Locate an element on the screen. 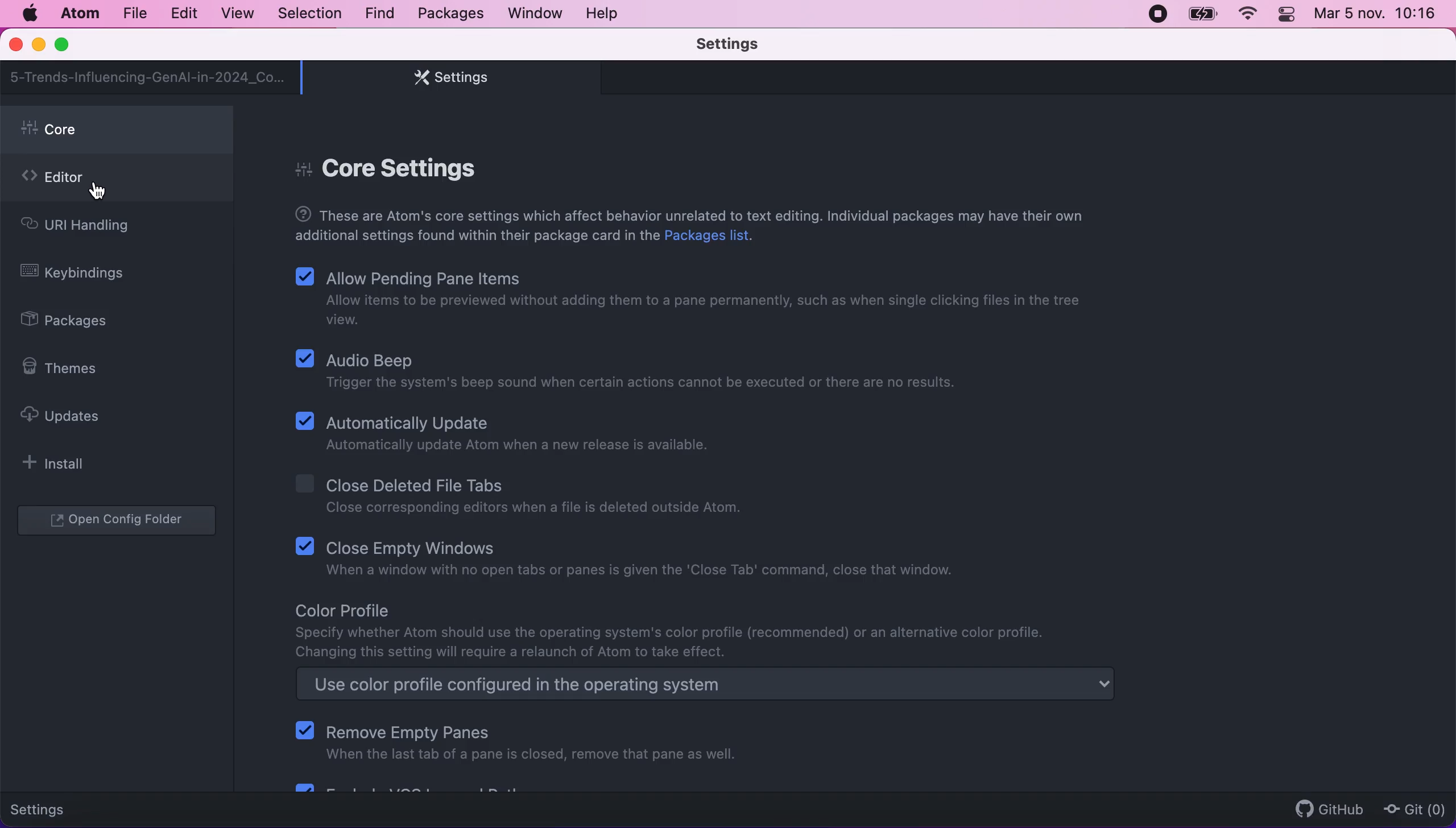 Image resolution: width=1456 pixels, height=828 pixels. themes is located at coordinates (67, 368).